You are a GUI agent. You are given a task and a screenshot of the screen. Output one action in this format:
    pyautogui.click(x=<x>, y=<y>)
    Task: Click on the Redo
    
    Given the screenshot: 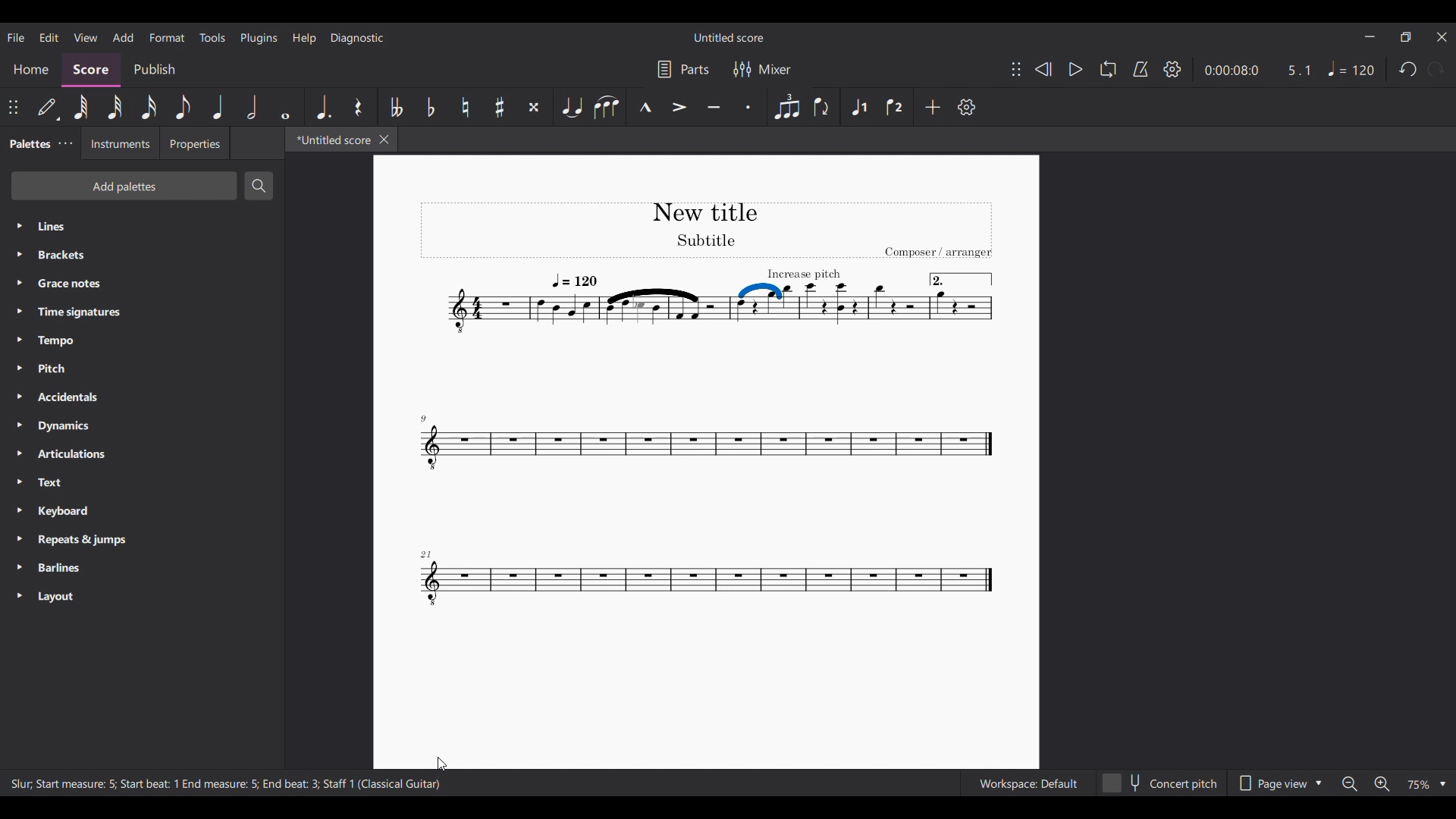 What is the action you would take?
    pyautogui.click(x=1436, y=69)
    